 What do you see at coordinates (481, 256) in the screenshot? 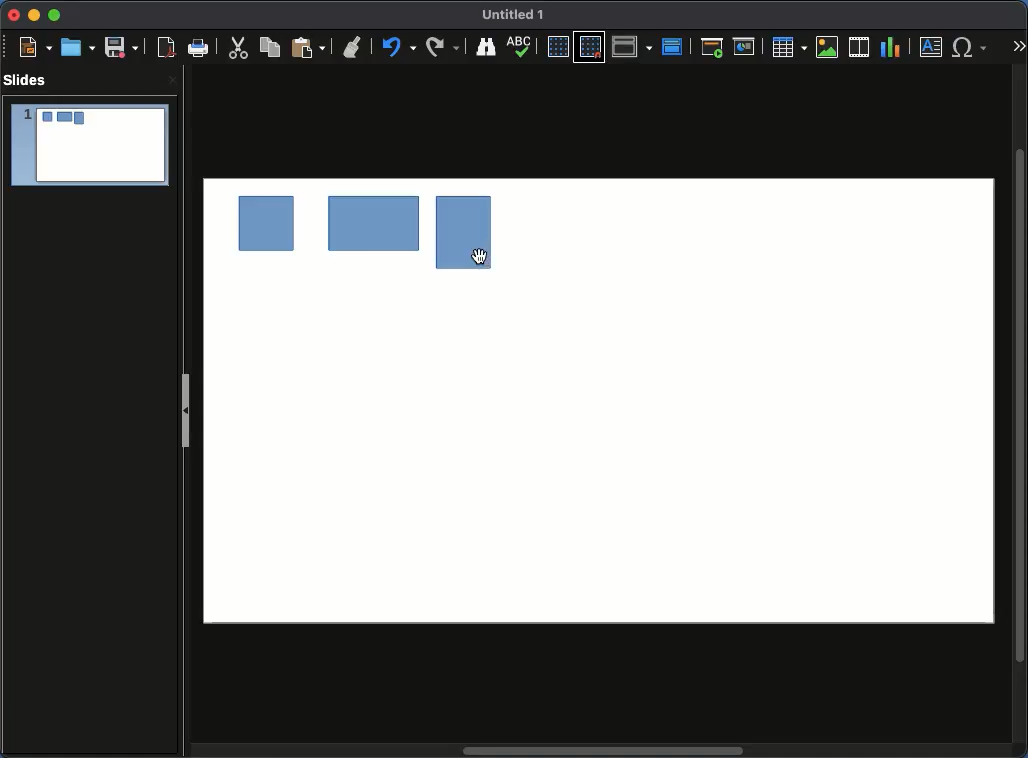
I see `cursor` at bounding box center [481, 256].